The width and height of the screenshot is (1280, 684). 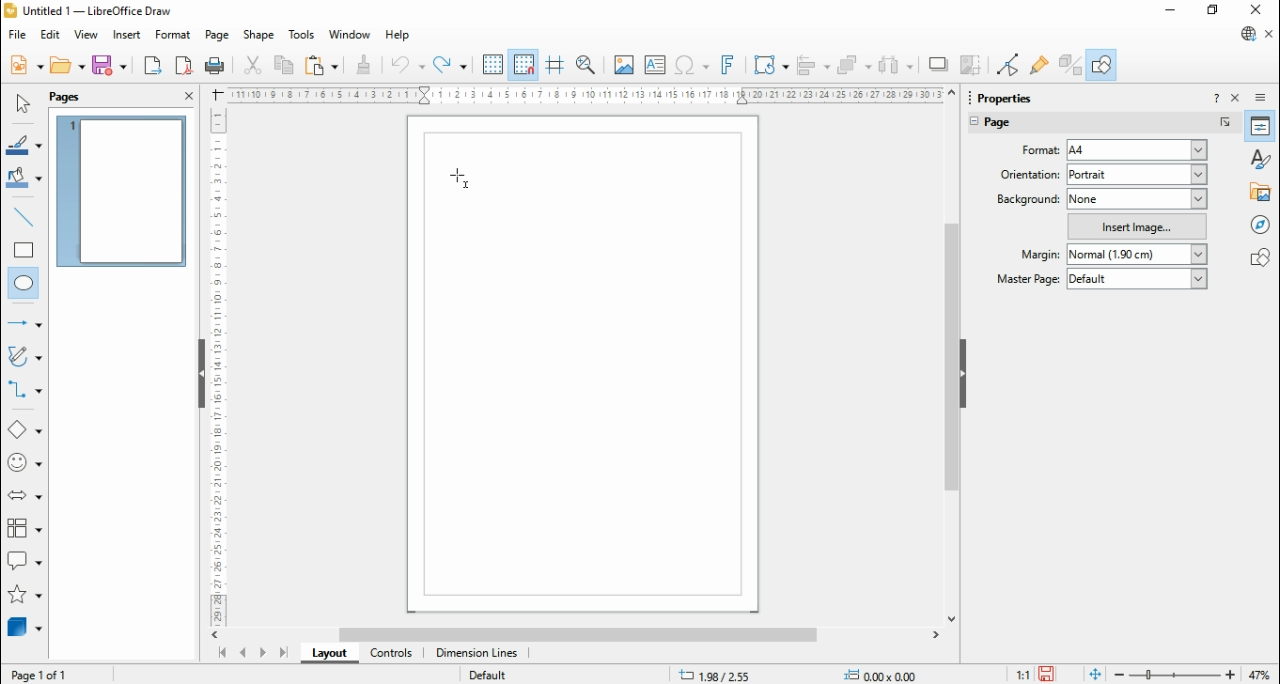 What do you see at coordinates (1262, 98) in the screenshot?
I see `sidebar deck settings` at bounding box center [1262, 98].